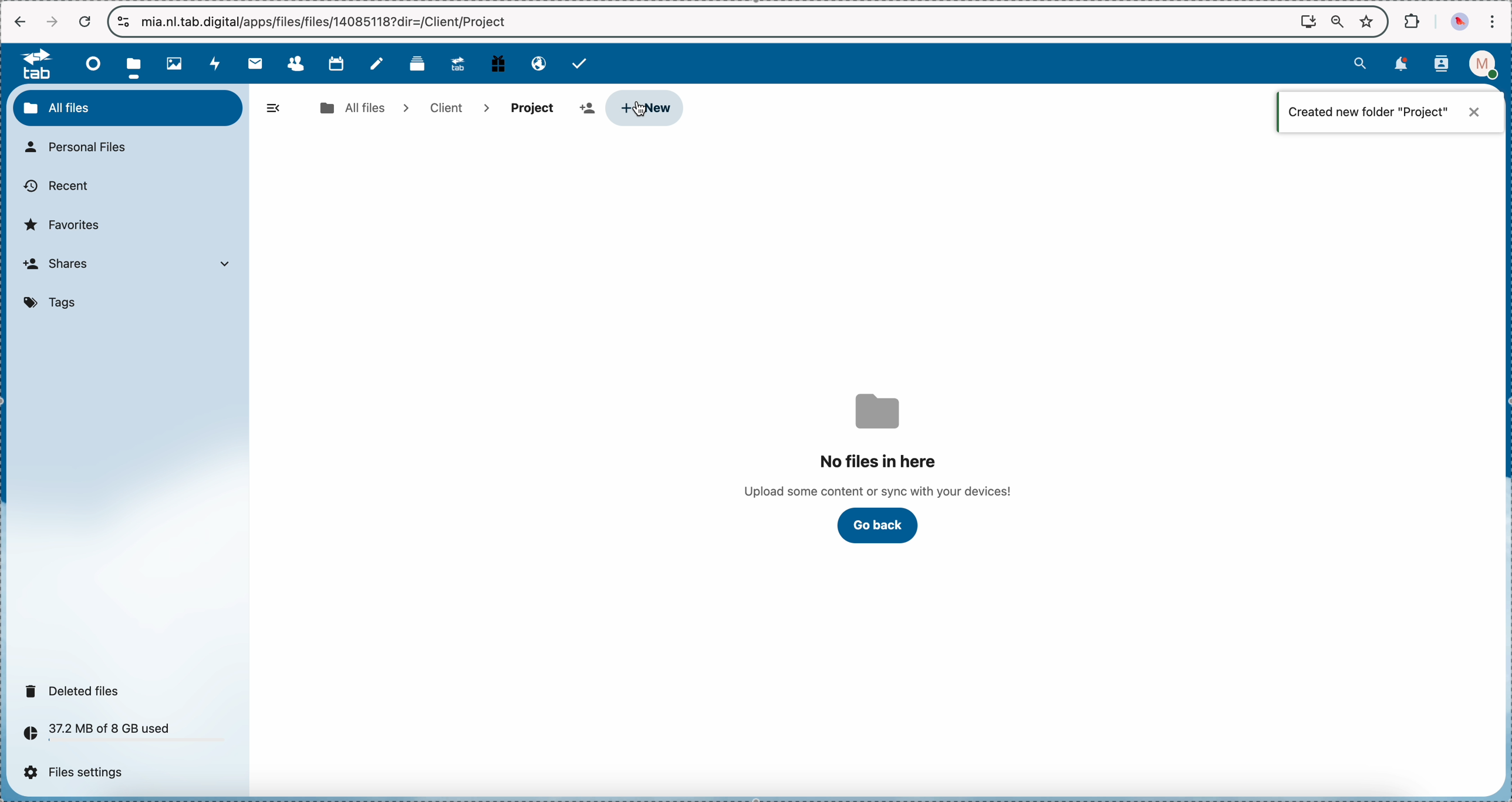  What do you see at coordinates (128, 107) in the screenshot?
I see `all files` at bounding box center [128, 107].